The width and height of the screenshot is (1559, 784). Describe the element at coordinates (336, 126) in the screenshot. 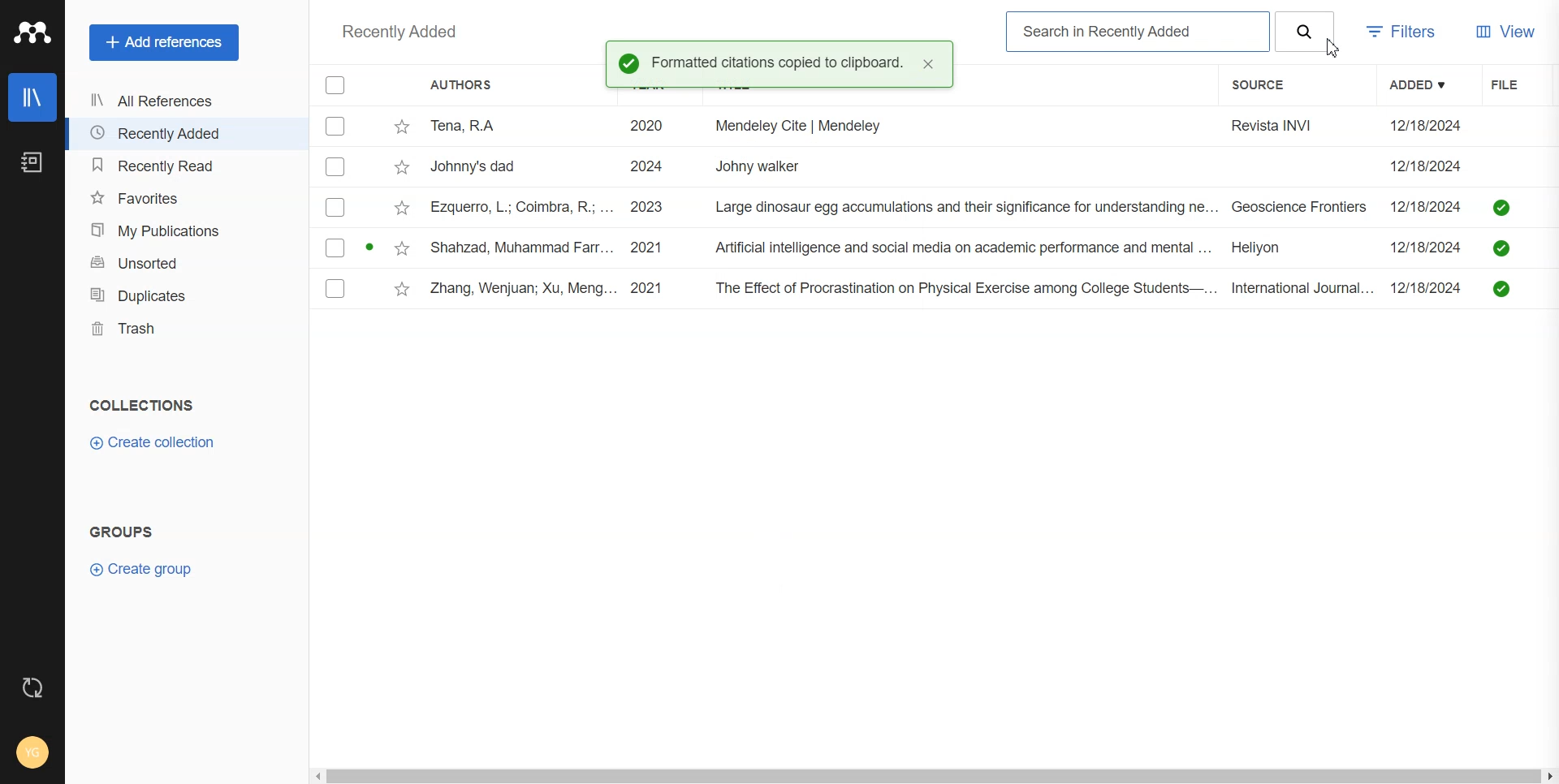

I see `Checkbox` at that location.